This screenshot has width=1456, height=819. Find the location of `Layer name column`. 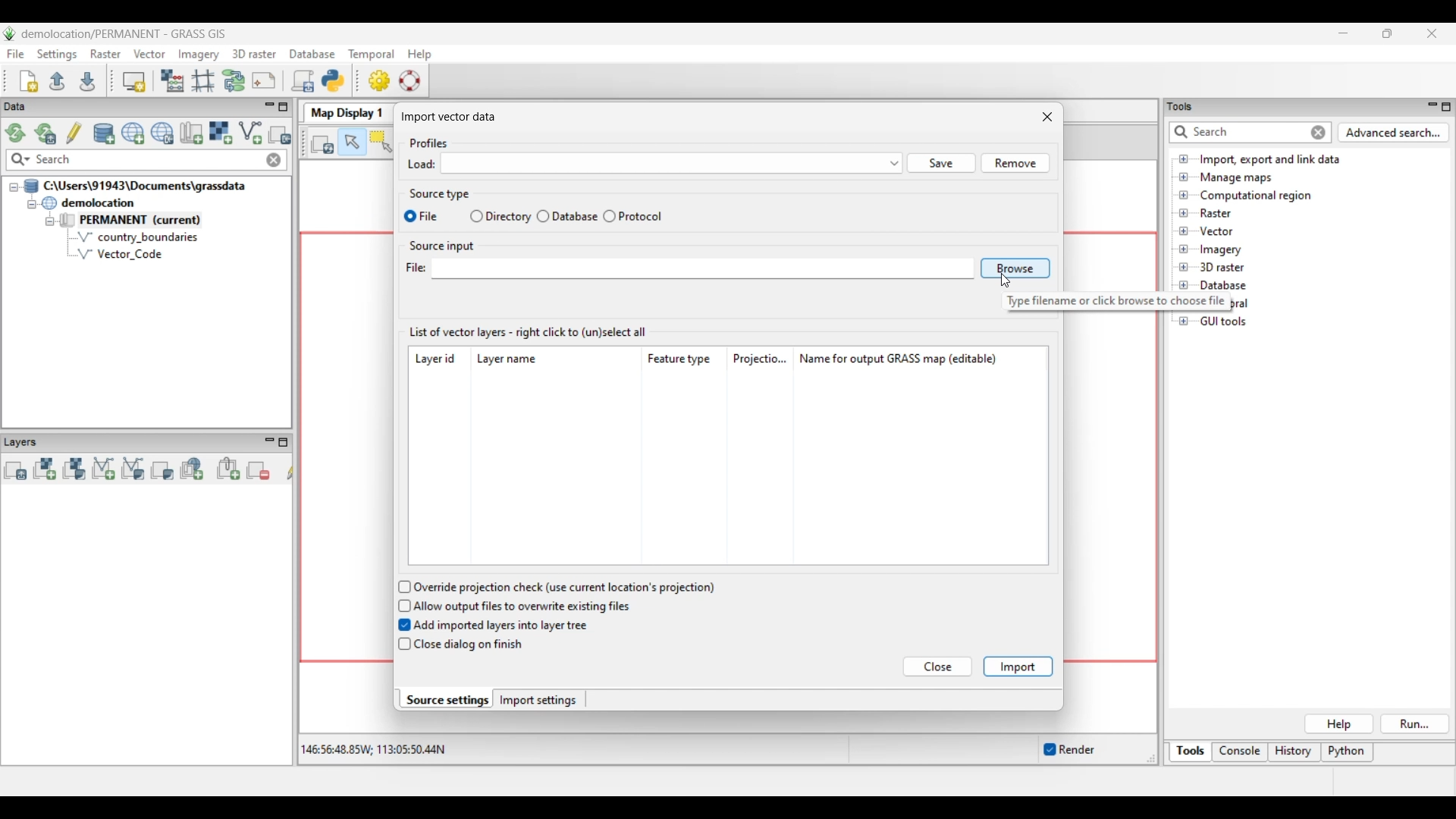

Layer name column is located at coordinates (533, 359).